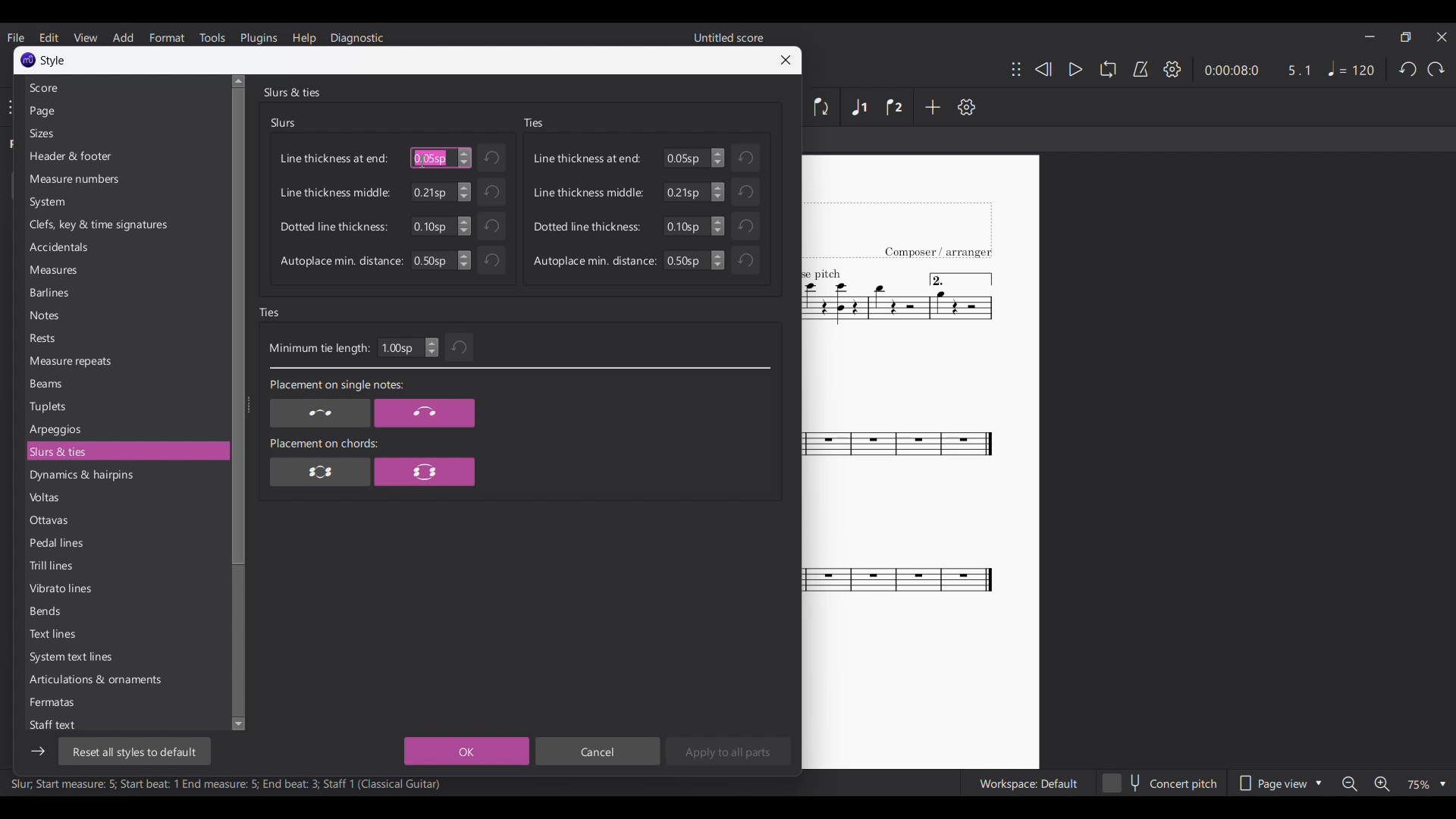 The width and height of the screenshot is (1456, 819). Describe the element at coordinates (124, 111) in the screenshot. I see `Page` at that location.